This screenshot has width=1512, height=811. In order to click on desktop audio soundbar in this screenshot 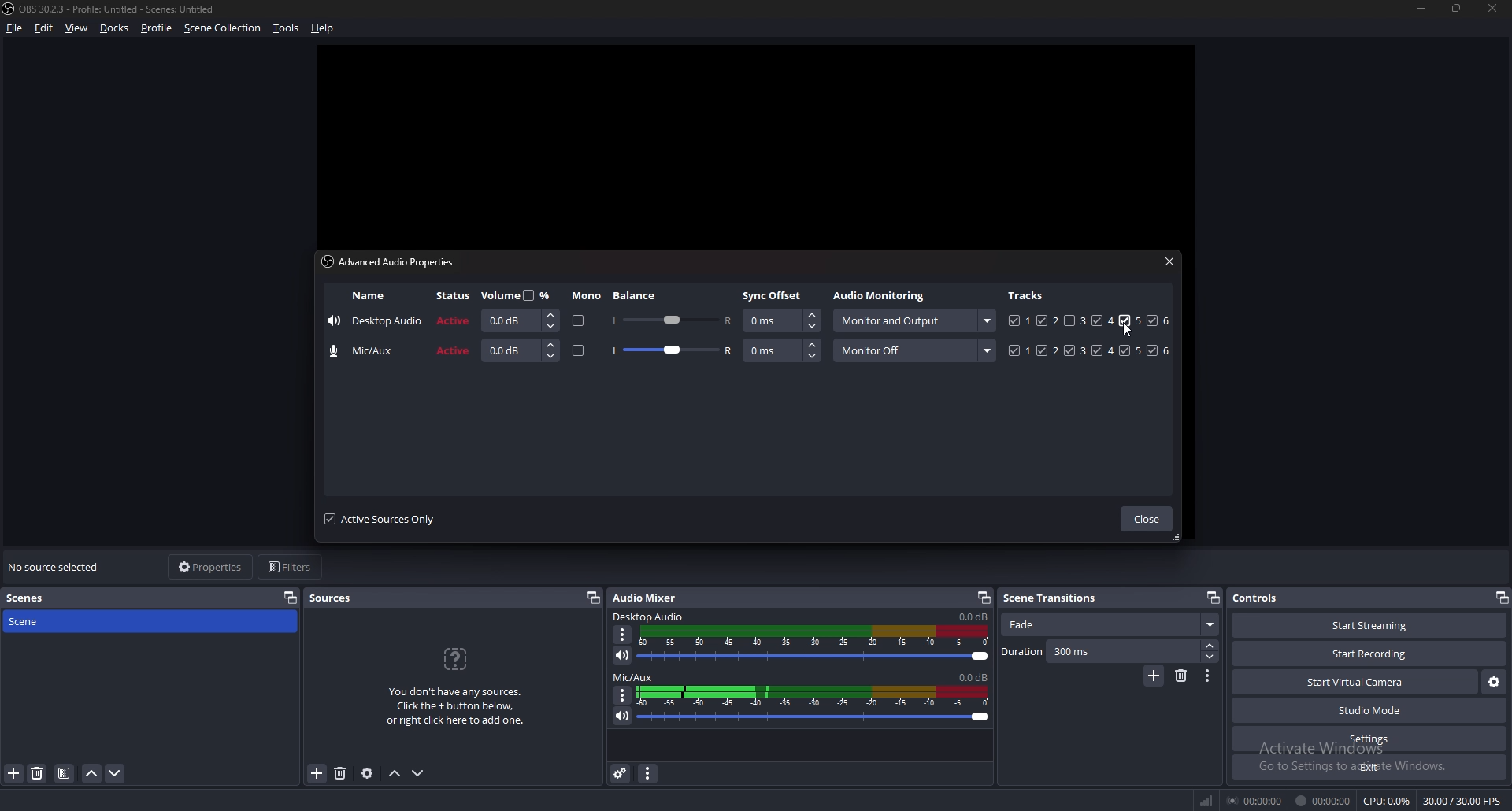, I will do `click(817, 644)`.